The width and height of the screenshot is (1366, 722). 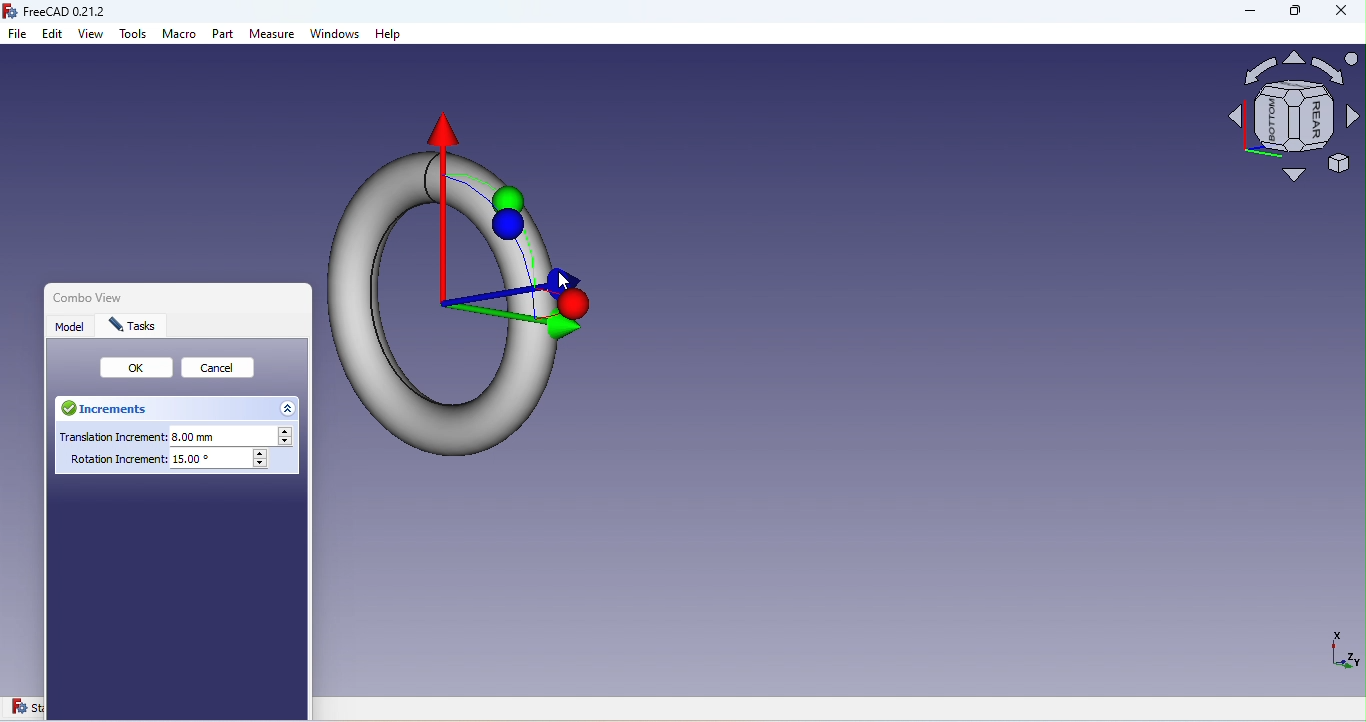 What do you see at coordinates (1294, 122) in the screenshot?
I see `Navigation square` at bounding box center [1294, 122].